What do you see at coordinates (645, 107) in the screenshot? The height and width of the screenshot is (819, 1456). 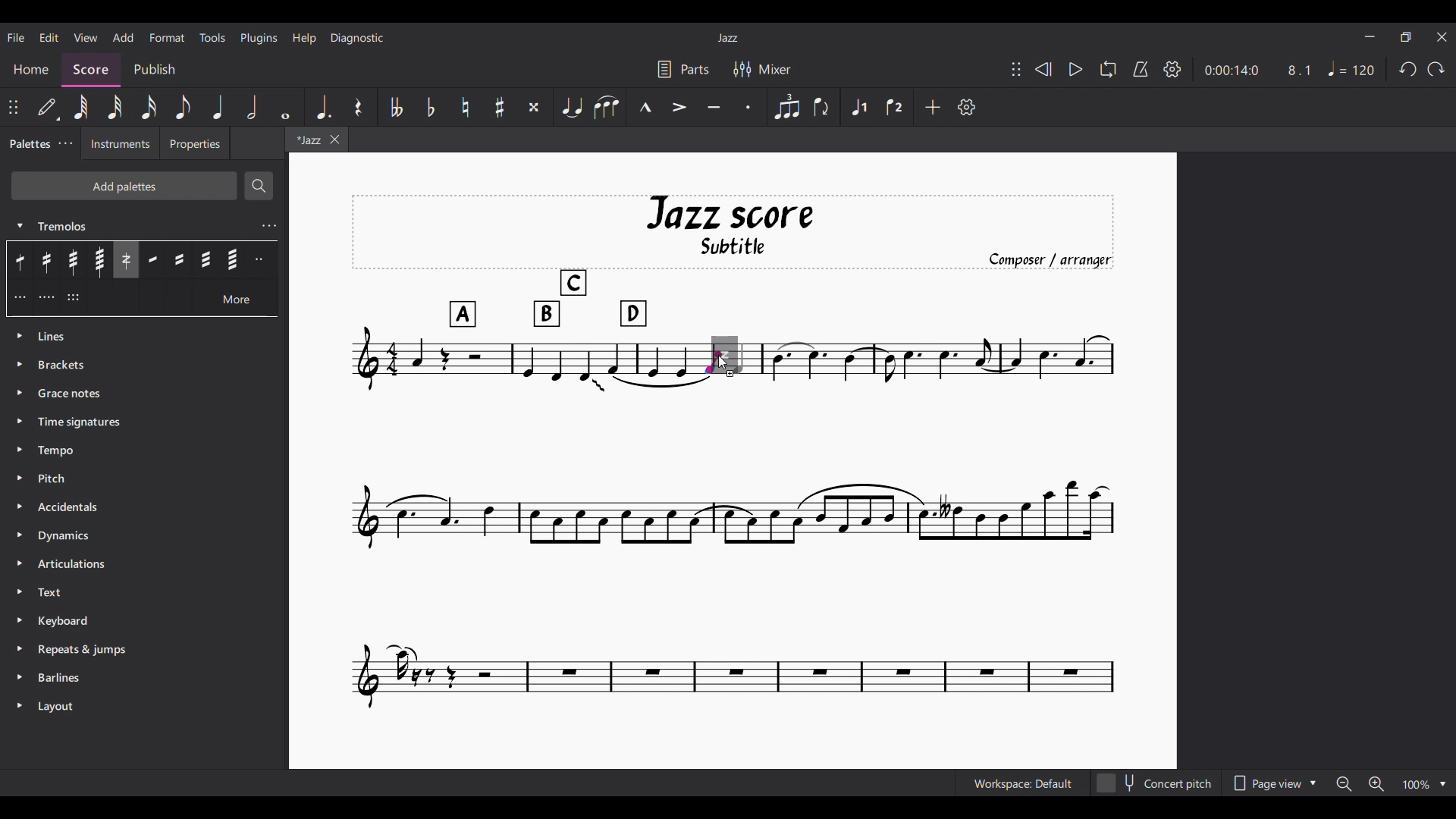 I see `Marcato` at bounding box center [645, 107].